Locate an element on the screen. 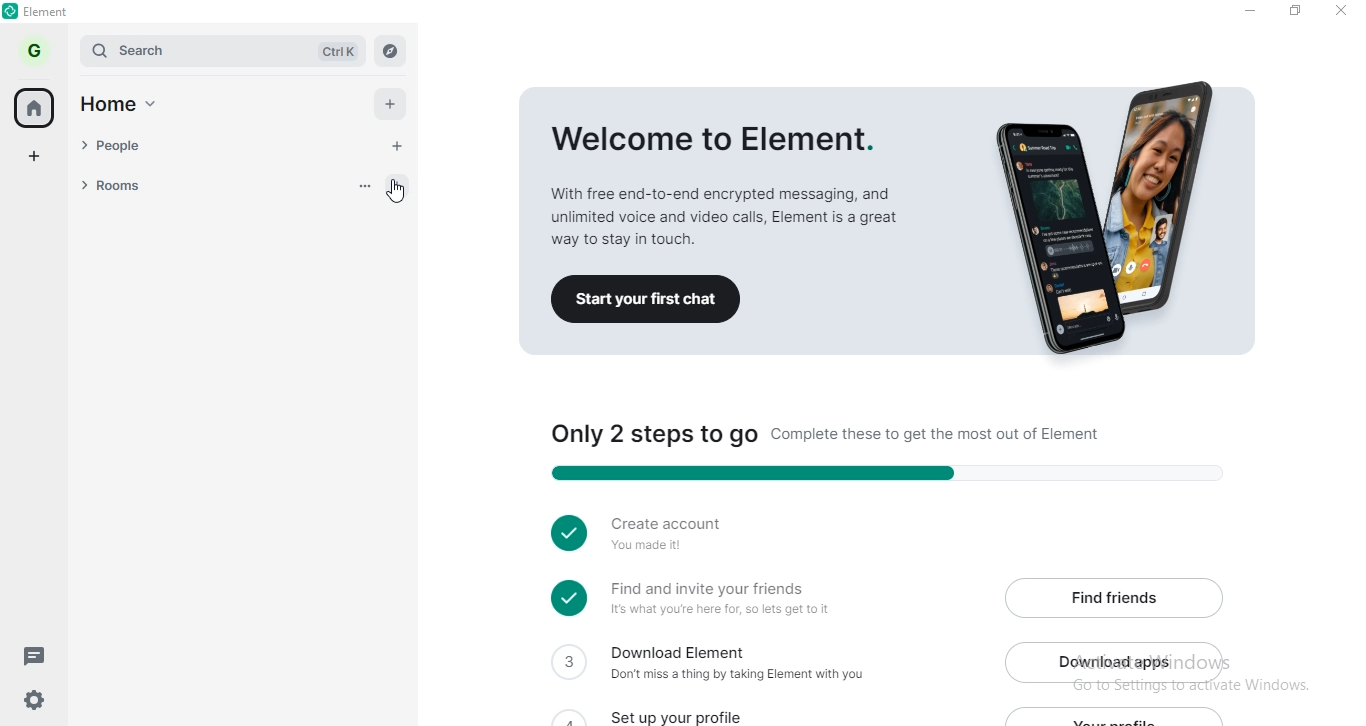 The width and height of the screenshot is (1366, 726). restore is located at coordinates (1295, 13).